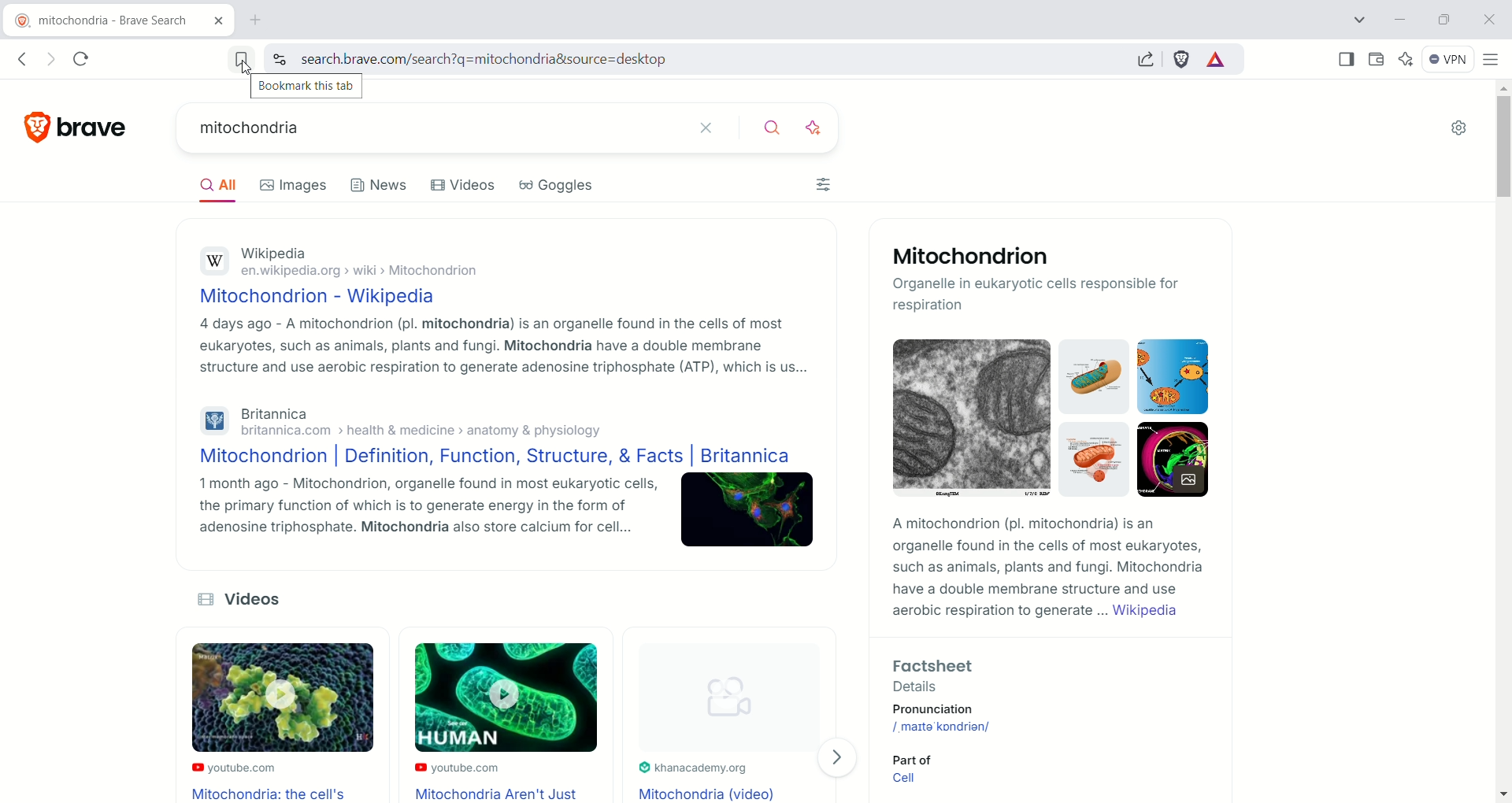 The image size is (1512, 803). What do you see at coordinates (1410, 59) in the screenshot?
I see `leo AI` at bounding box center [1410, 59].